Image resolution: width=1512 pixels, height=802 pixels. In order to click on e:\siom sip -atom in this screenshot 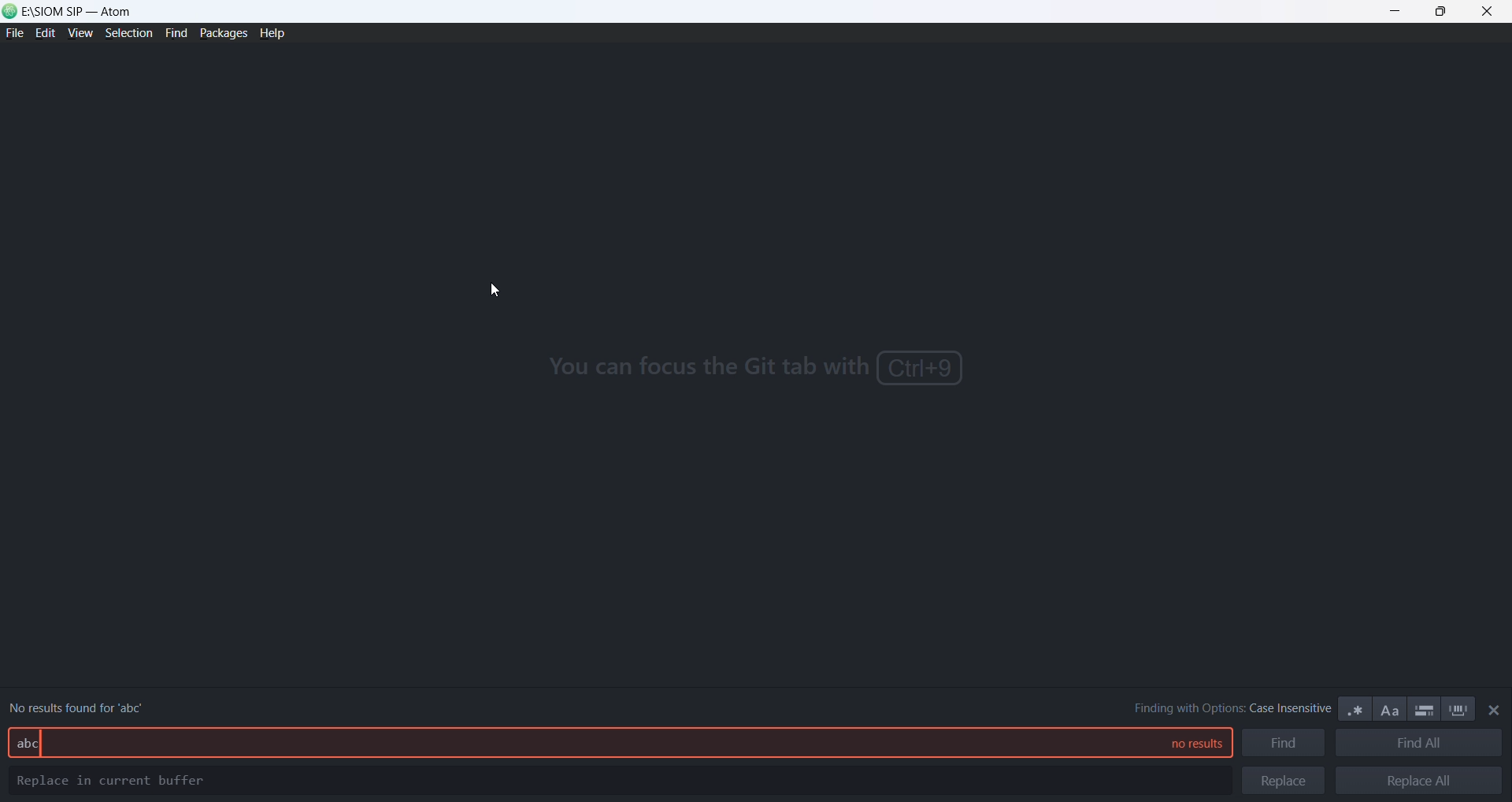, I will do `click(82, 11)`.